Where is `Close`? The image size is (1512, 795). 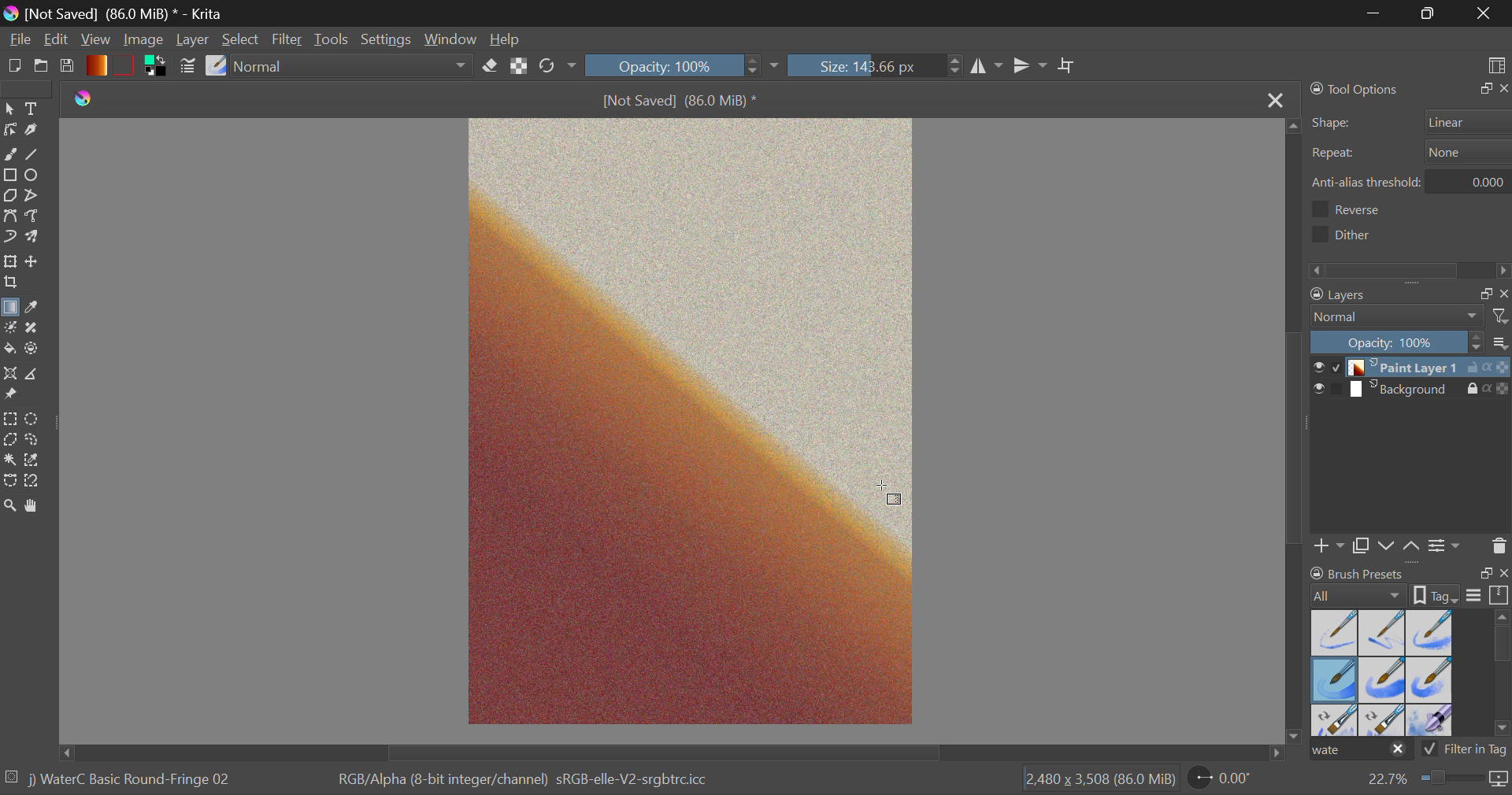
Close is located at coordinates (1484, 13).